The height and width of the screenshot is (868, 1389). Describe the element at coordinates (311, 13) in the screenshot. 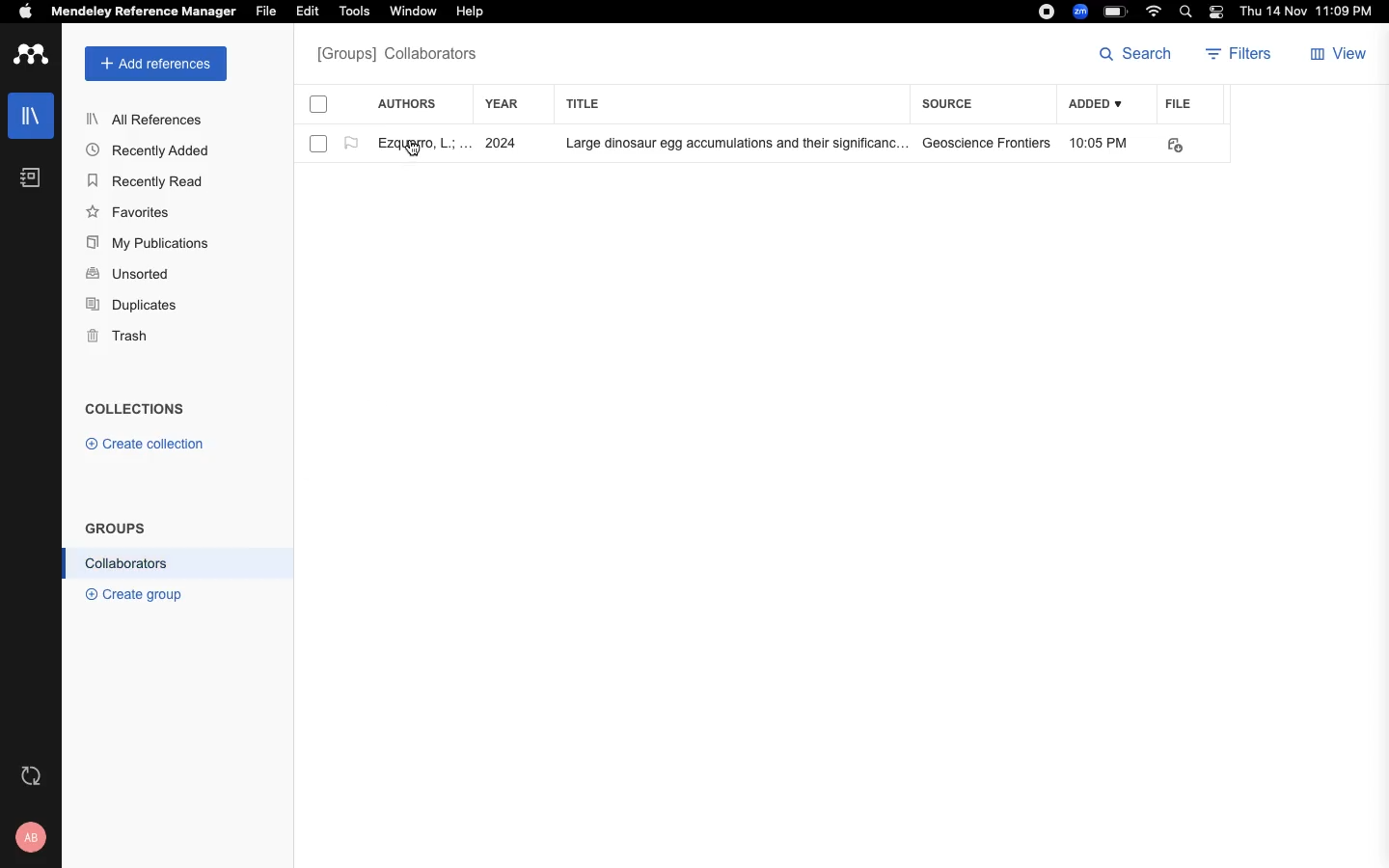

I see `Edit` at that location.